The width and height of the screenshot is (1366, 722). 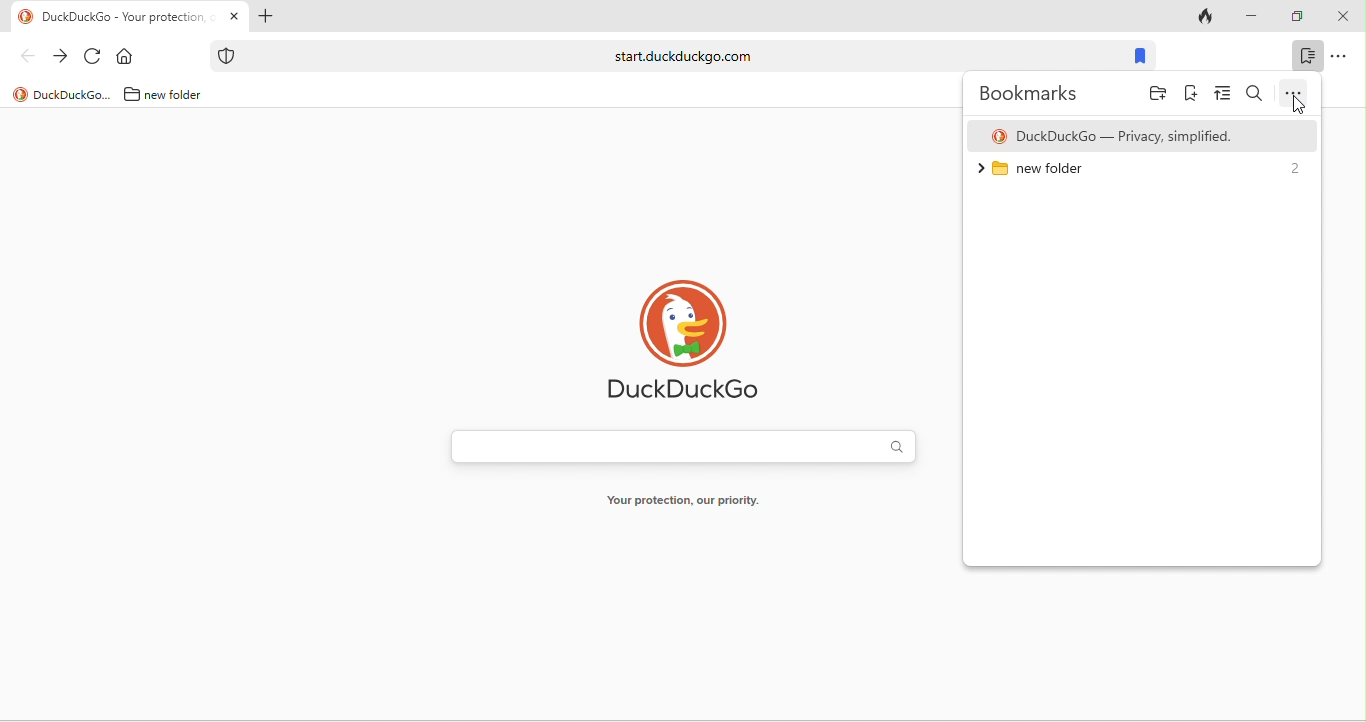 What do you see at coordinates (1342, 17) in the screenshot?
I see `close` at bounding box center [1342, 17].